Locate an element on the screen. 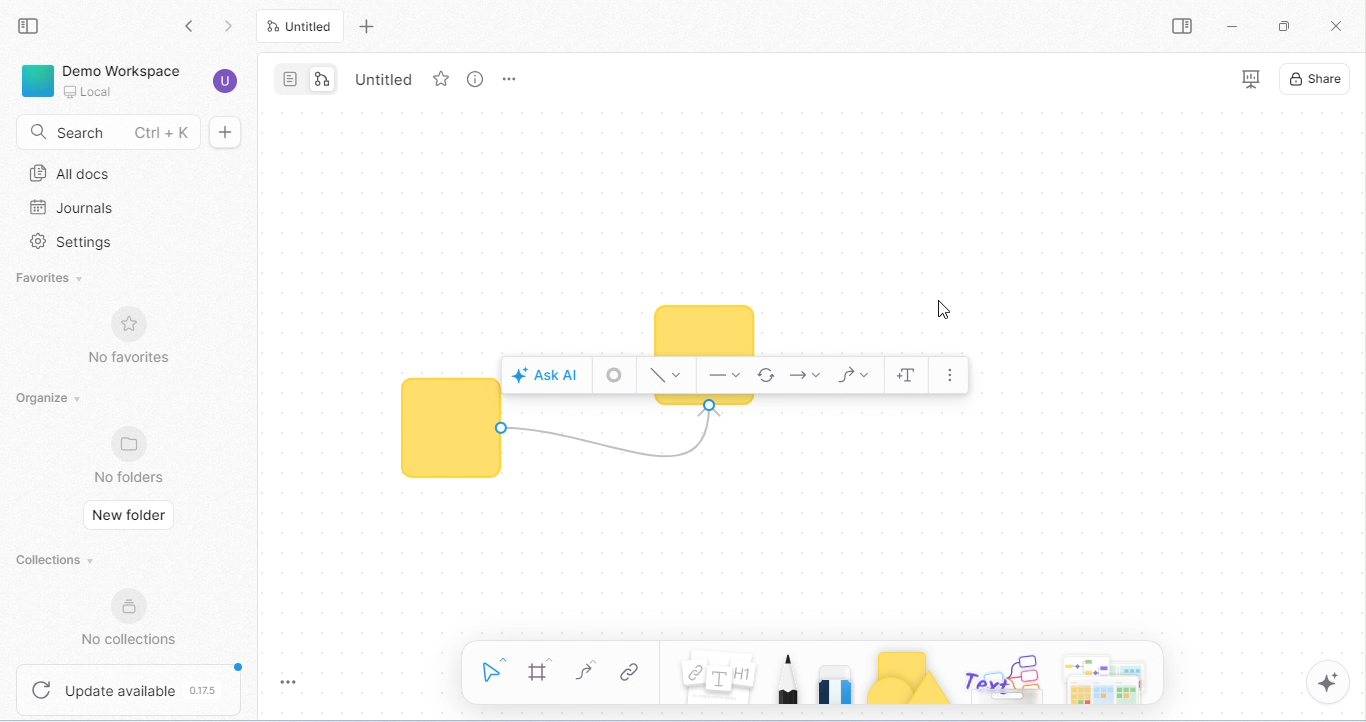 The height and width of the screenshot is (722, 1366). shape is located at coordinates (448, 428).